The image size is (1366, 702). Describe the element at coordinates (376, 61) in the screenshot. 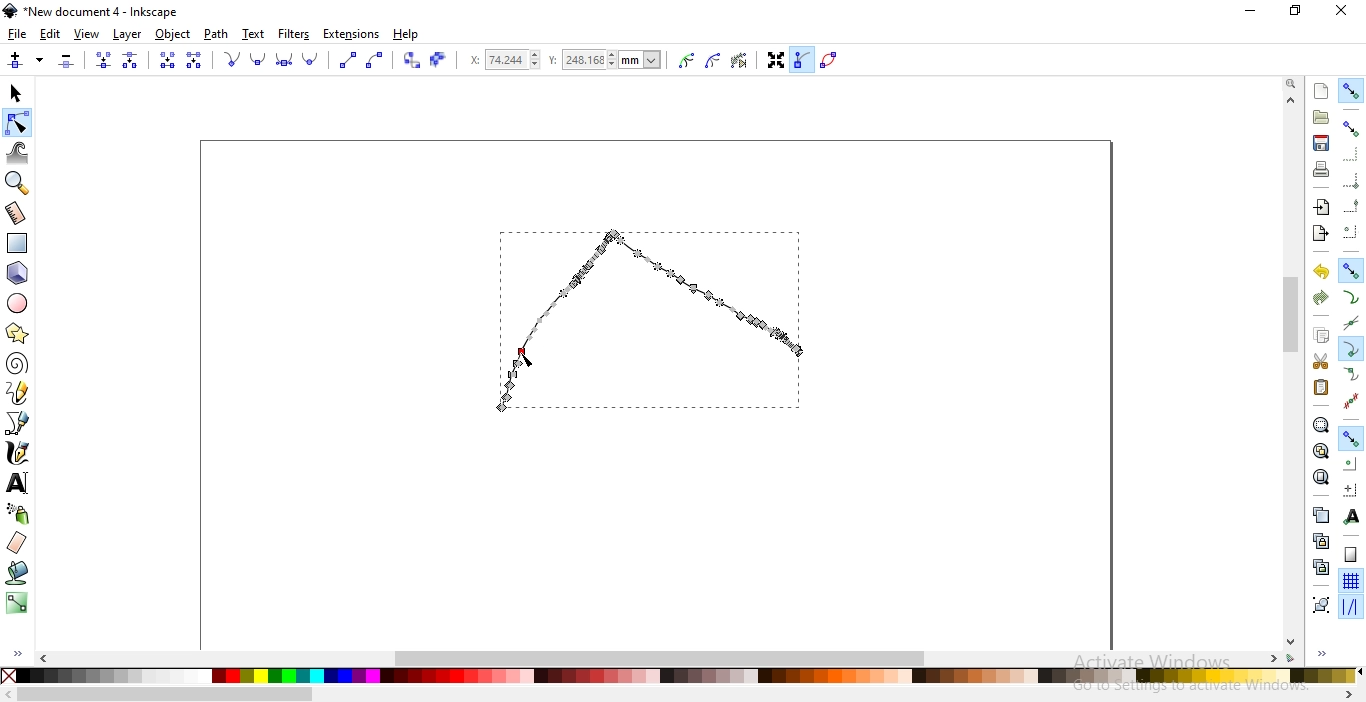

I see `make selected segments curve` at that location.